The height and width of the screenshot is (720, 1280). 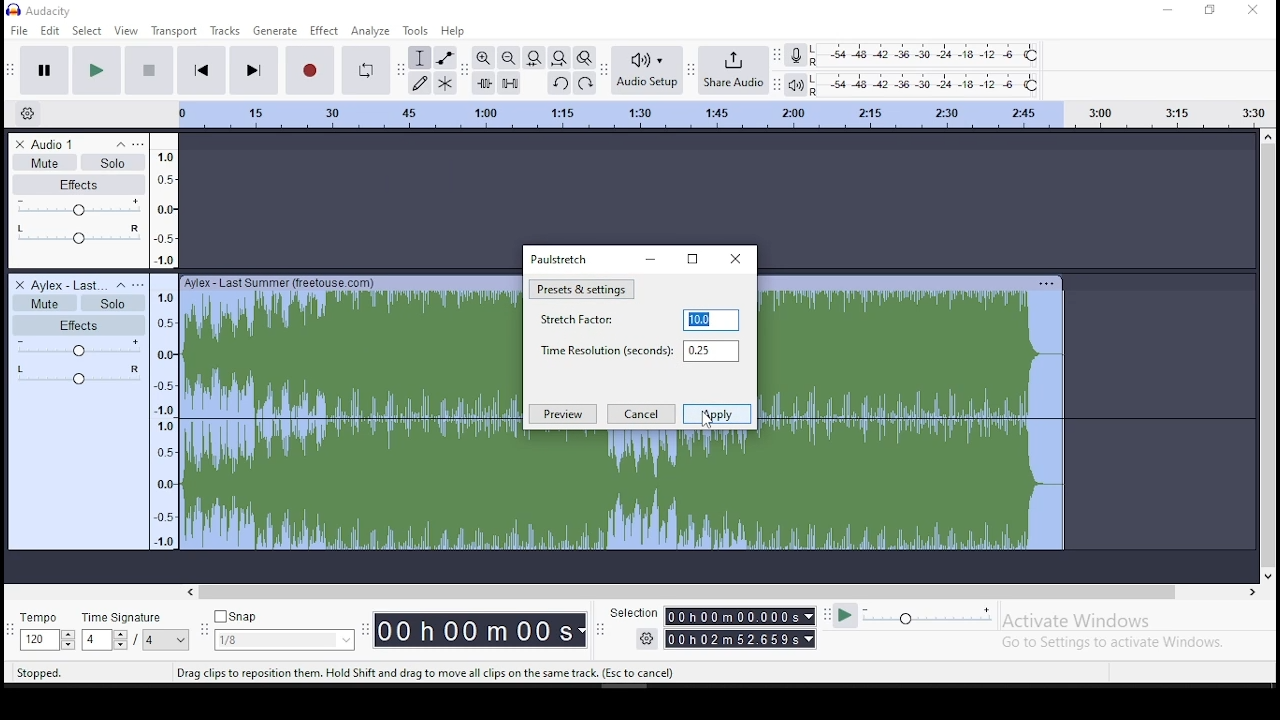 What do you see at coordinates (735, 71) in the screenshot?
I see `hare audio` at bounding box center [735, 71].